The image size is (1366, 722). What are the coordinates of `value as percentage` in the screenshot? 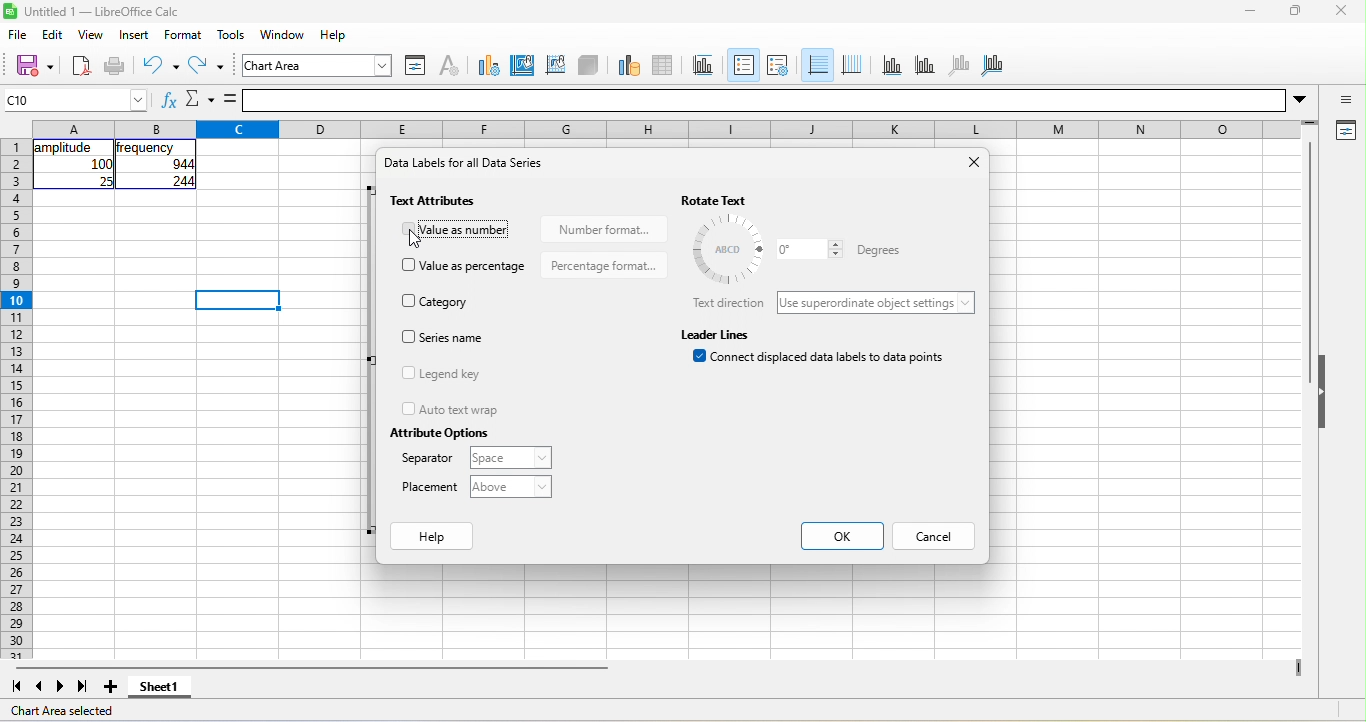 It's located at (466, 266).